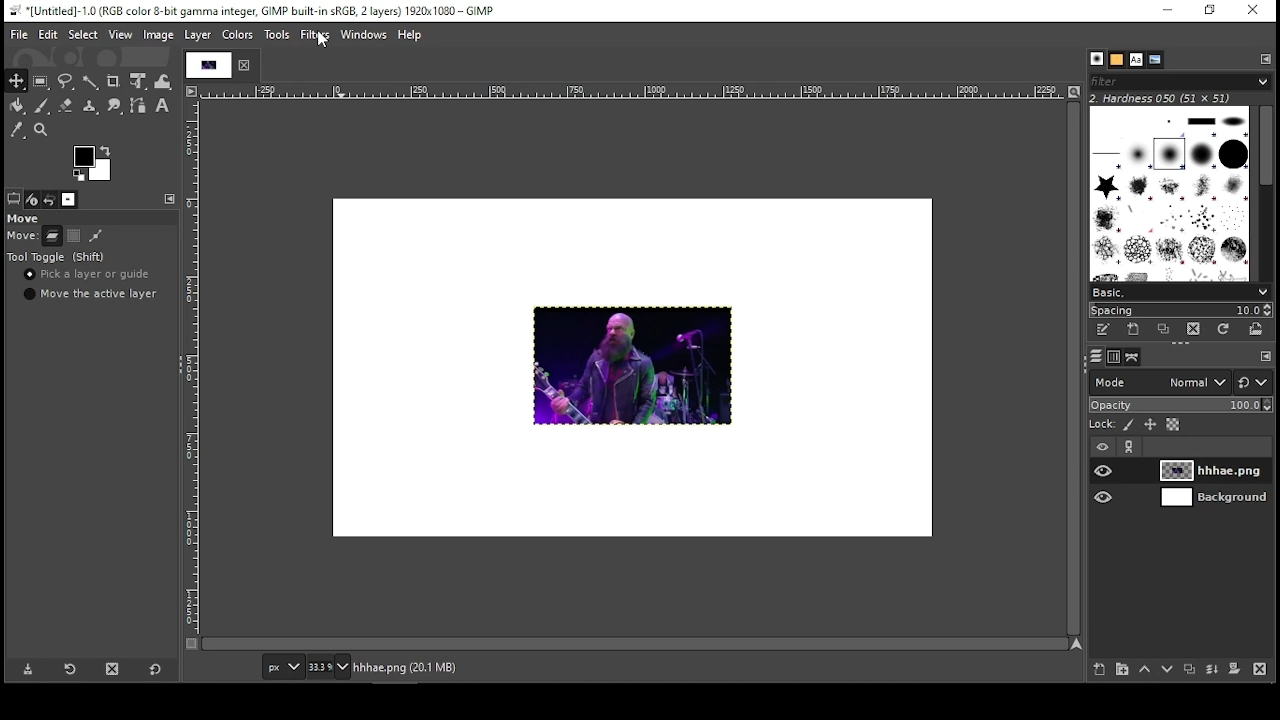 Image resolution: width=1280 pixels, height=720 pixels. I want to click on minimize, so click(1170, 11).